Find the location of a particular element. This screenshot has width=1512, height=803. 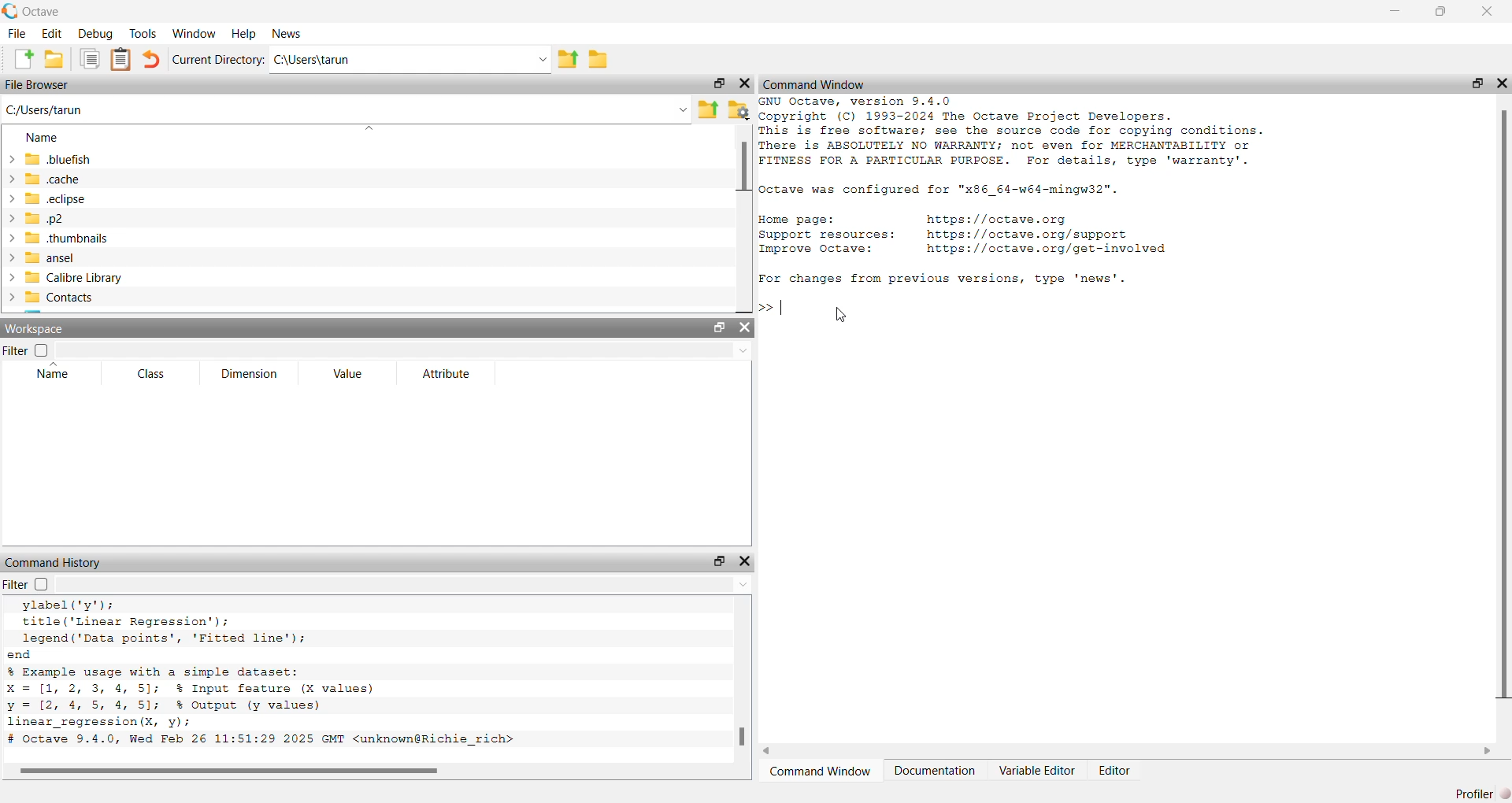

logo is located at coordinates (9, 9).